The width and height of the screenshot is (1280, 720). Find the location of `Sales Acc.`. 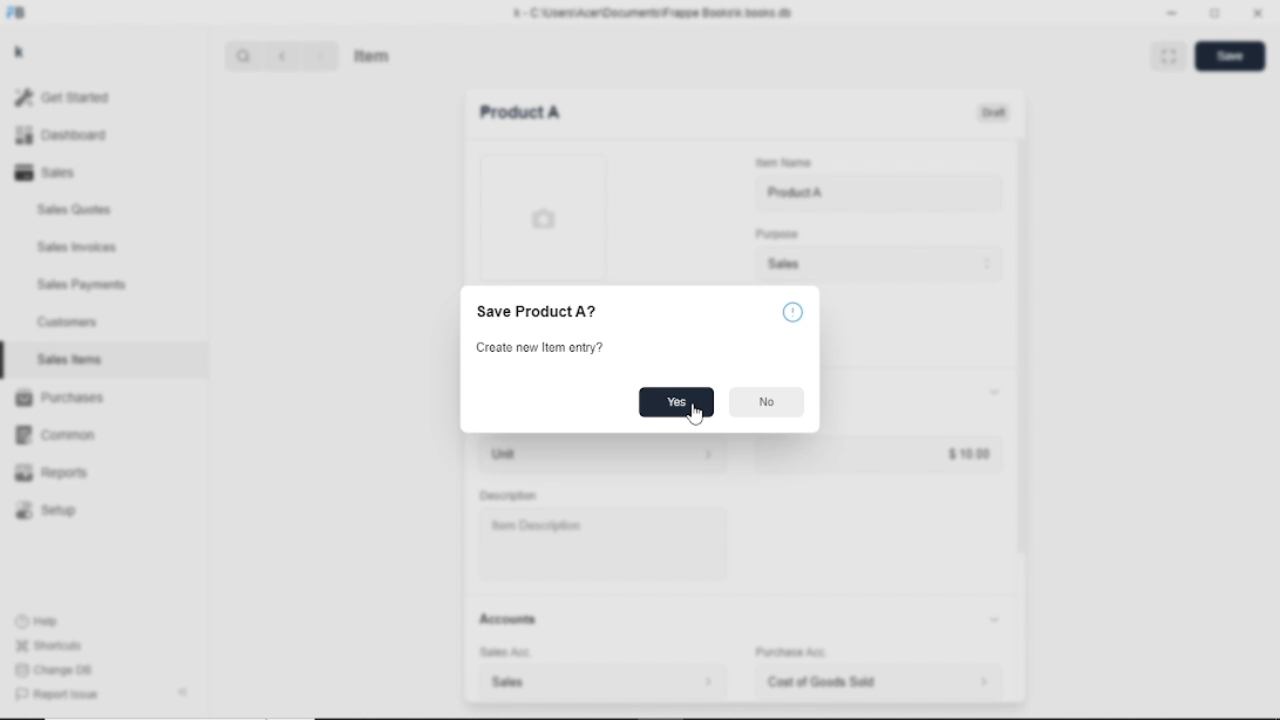

Sales Acc. is located at coordinates (502, 653).